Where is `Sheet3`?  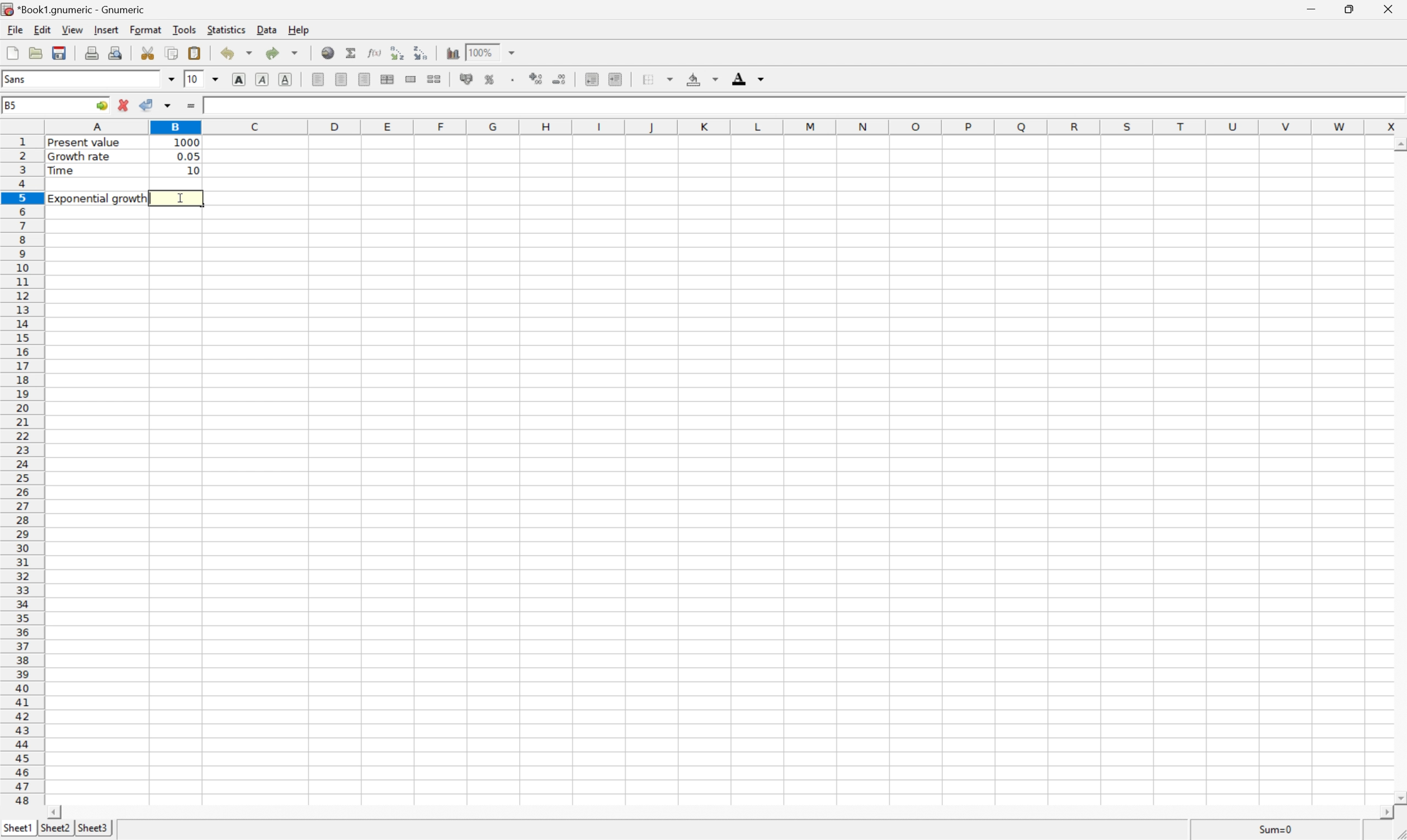 Sheet3 is located at coordinates (94, 828).